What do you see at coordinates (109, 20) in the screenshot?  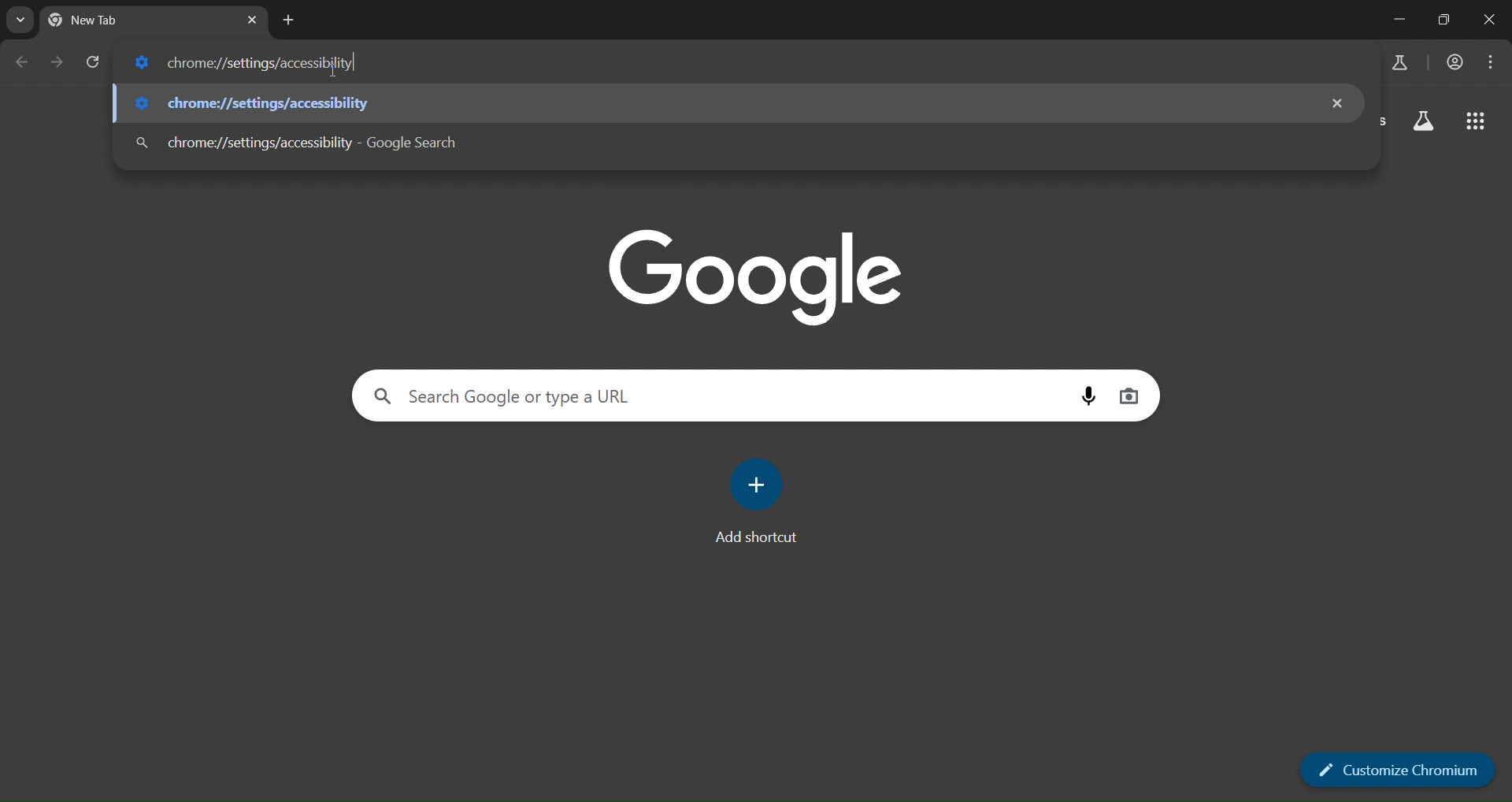 I see `New tab` at bounding box center [109, 20].